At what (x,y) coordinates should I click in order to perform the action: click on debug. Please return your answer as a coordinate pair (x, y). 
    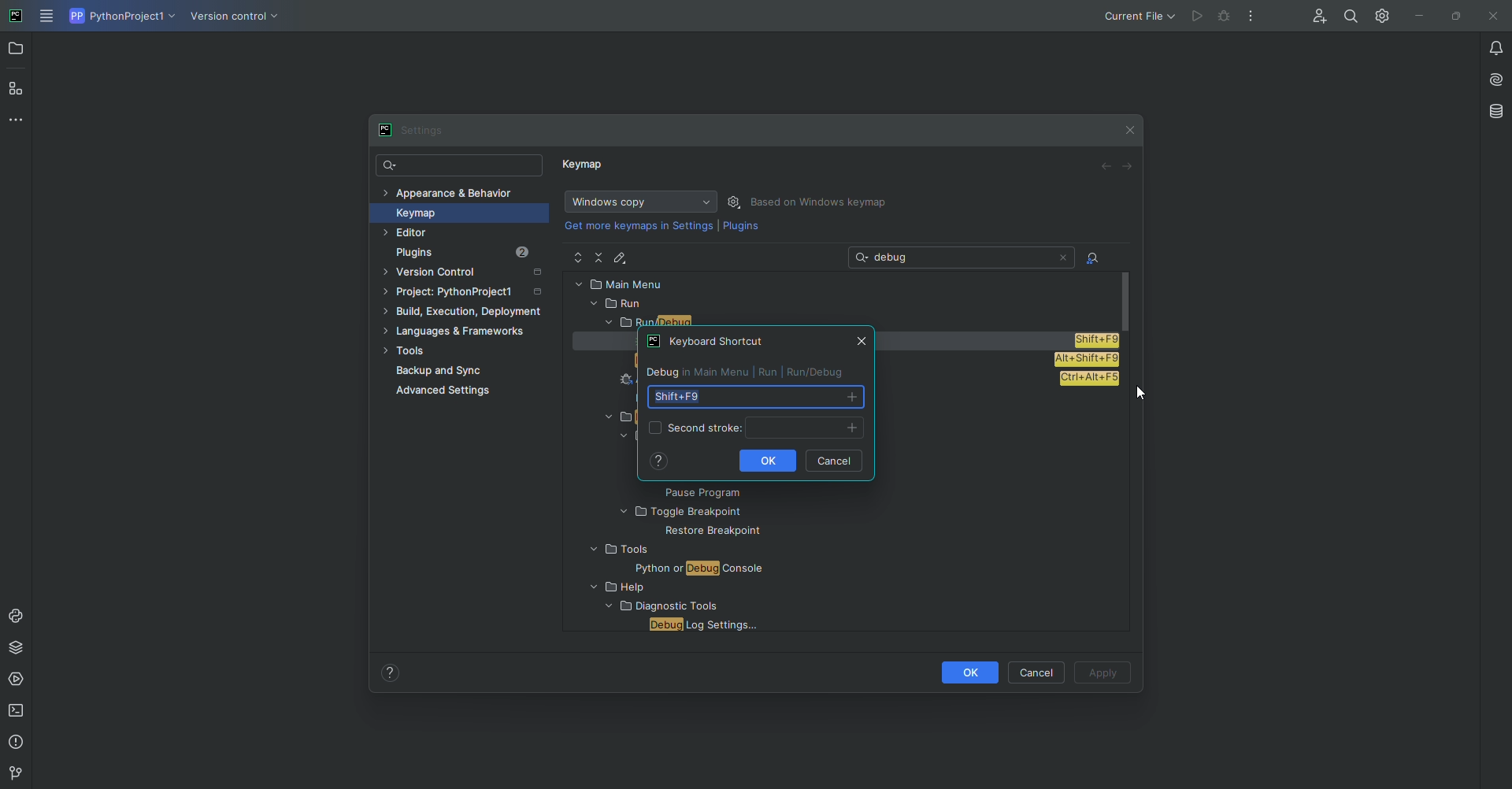
    Looking at the image, I should click on (1225, 17).